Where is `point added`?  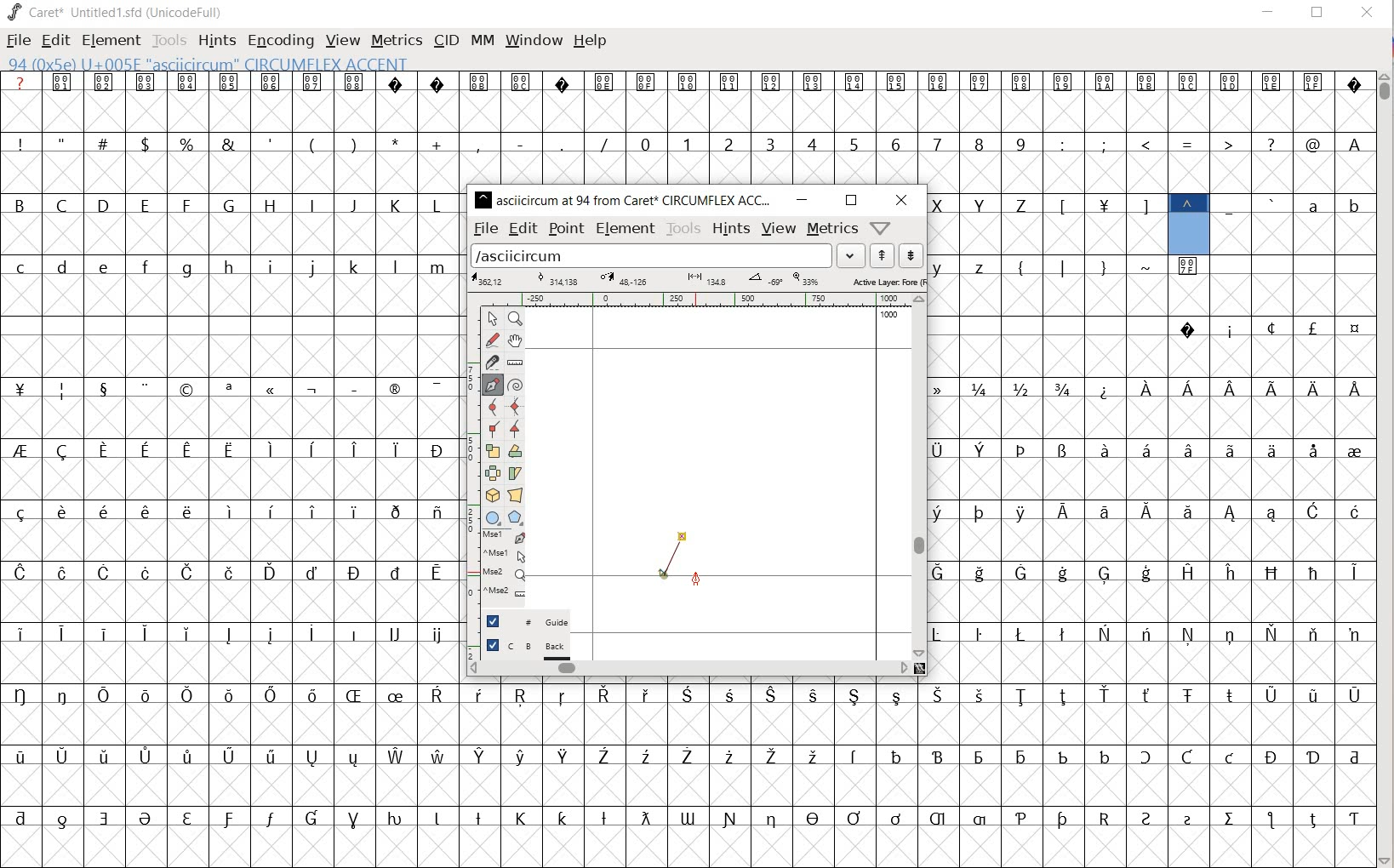 point added is located at coordinates (665, 577).